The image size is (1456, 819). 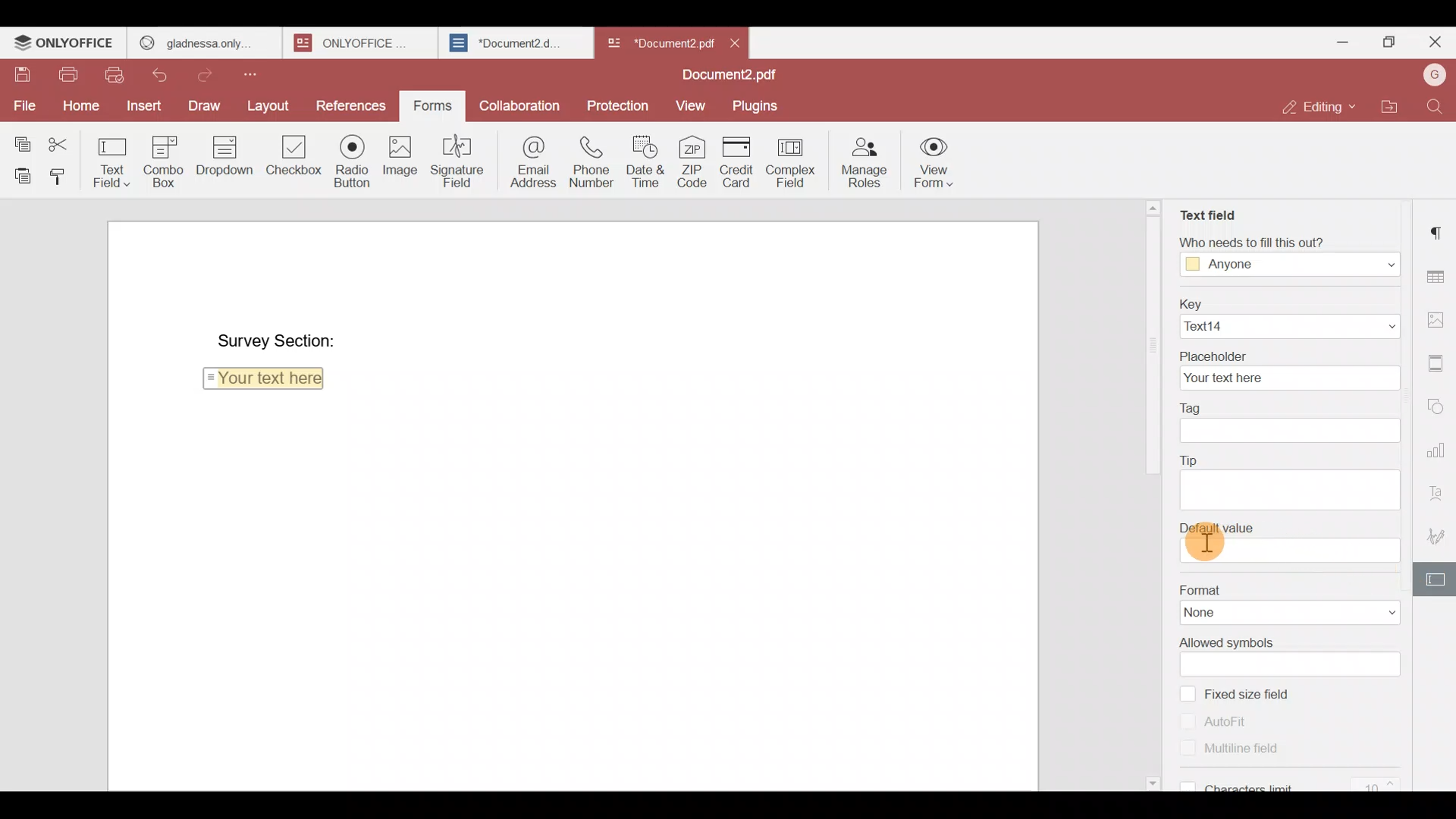 What do you see at coordinates (221, 158) in the screenshot?
I see `Dropdown` at bounding box center [221, 158].